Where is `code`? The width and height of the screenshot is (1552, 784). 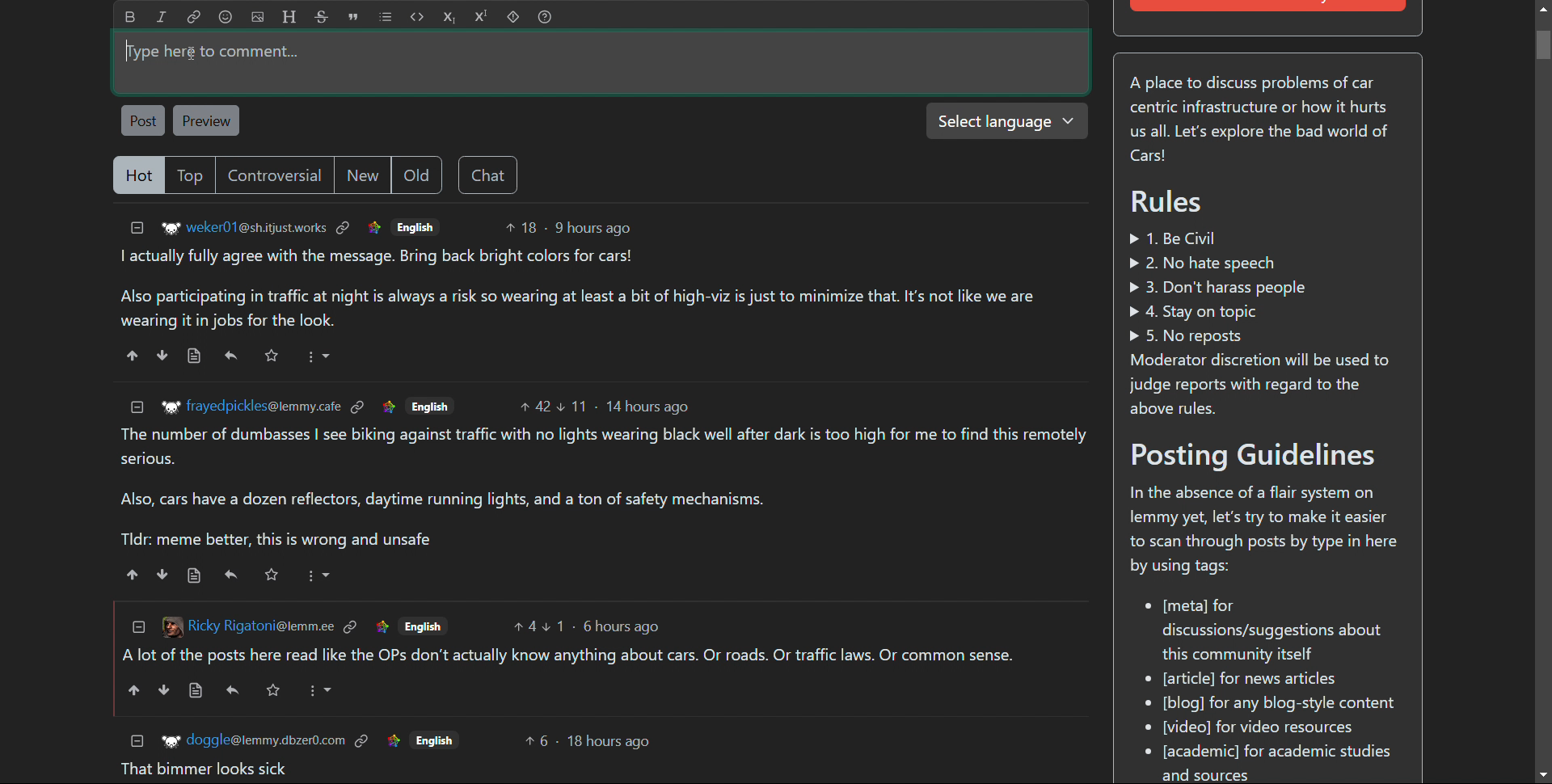 code is located at coordinates (416, 17).